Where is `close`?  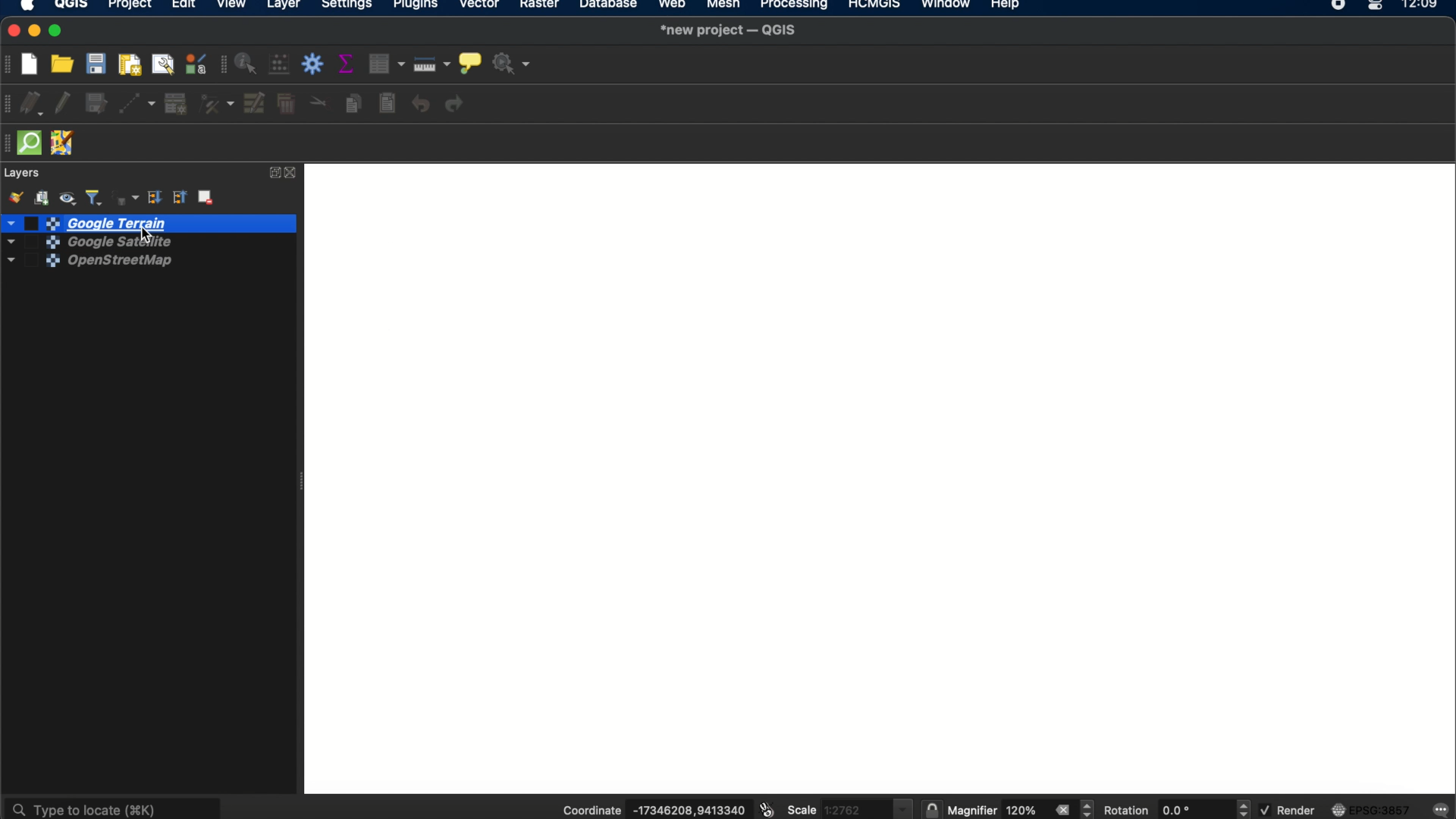
close is located at coordinates (294, 173).